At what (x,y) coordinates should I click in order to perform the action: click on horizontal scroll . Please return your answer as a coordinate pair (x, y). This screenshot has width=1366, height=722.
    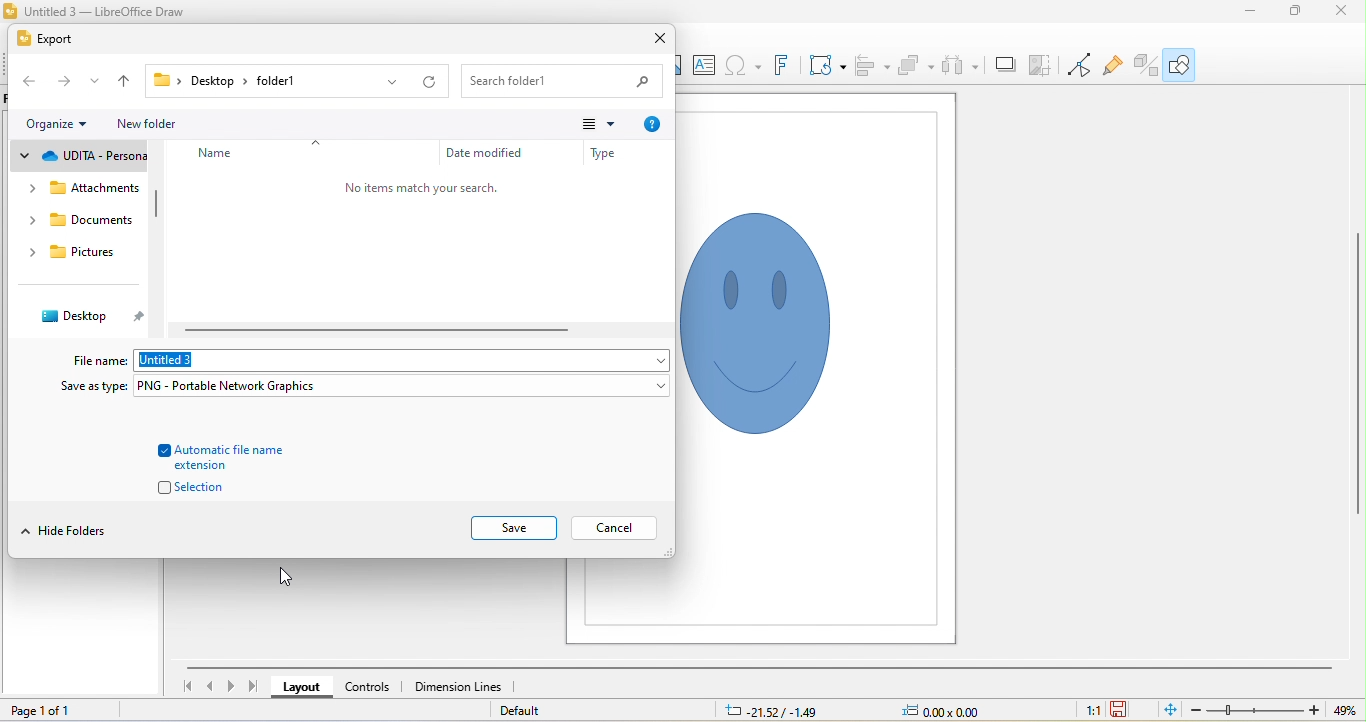
    Looking at the image, I should click on (762, 666).